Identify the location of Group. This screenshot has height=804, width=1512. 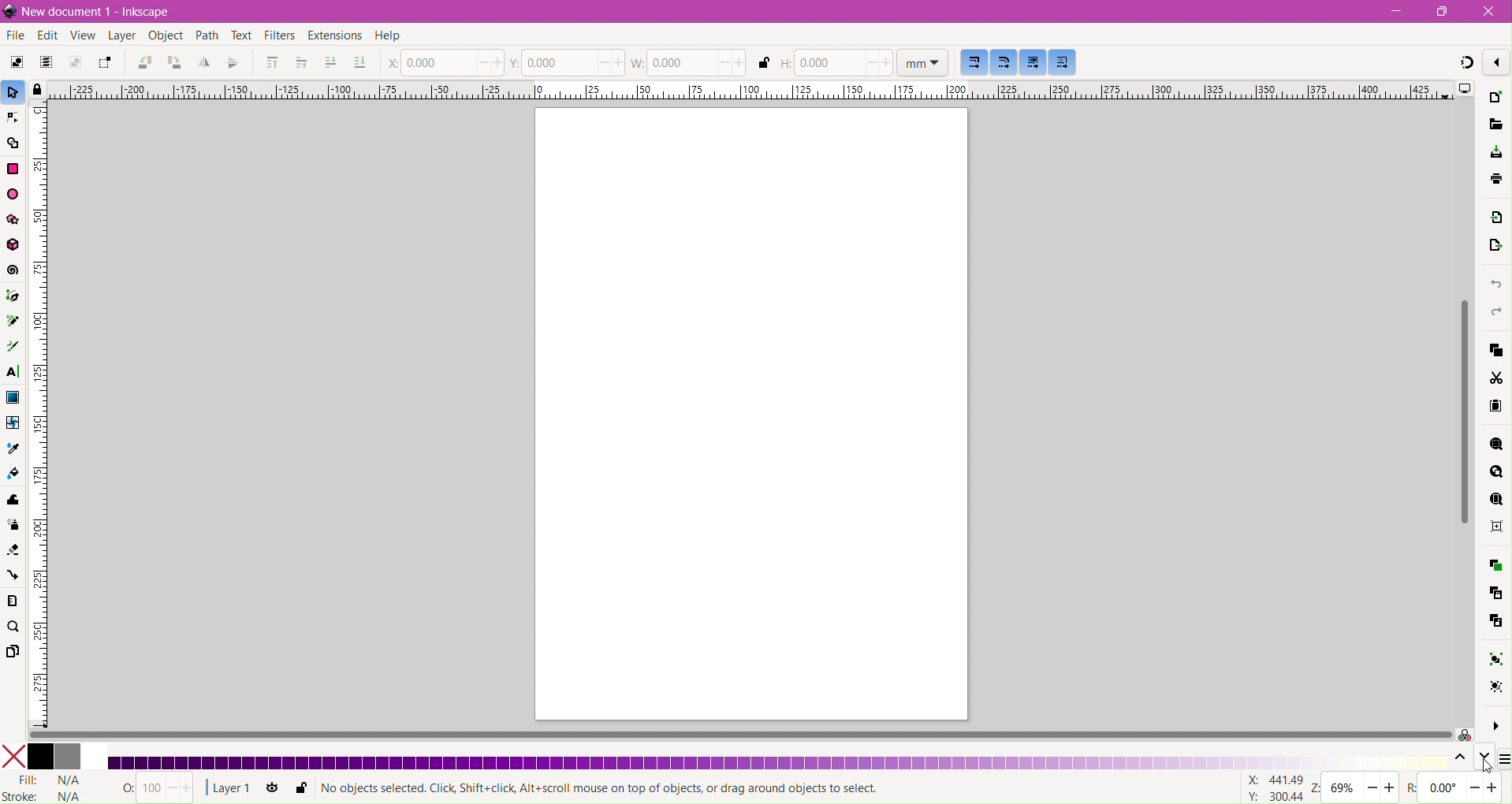
(1492, 657).